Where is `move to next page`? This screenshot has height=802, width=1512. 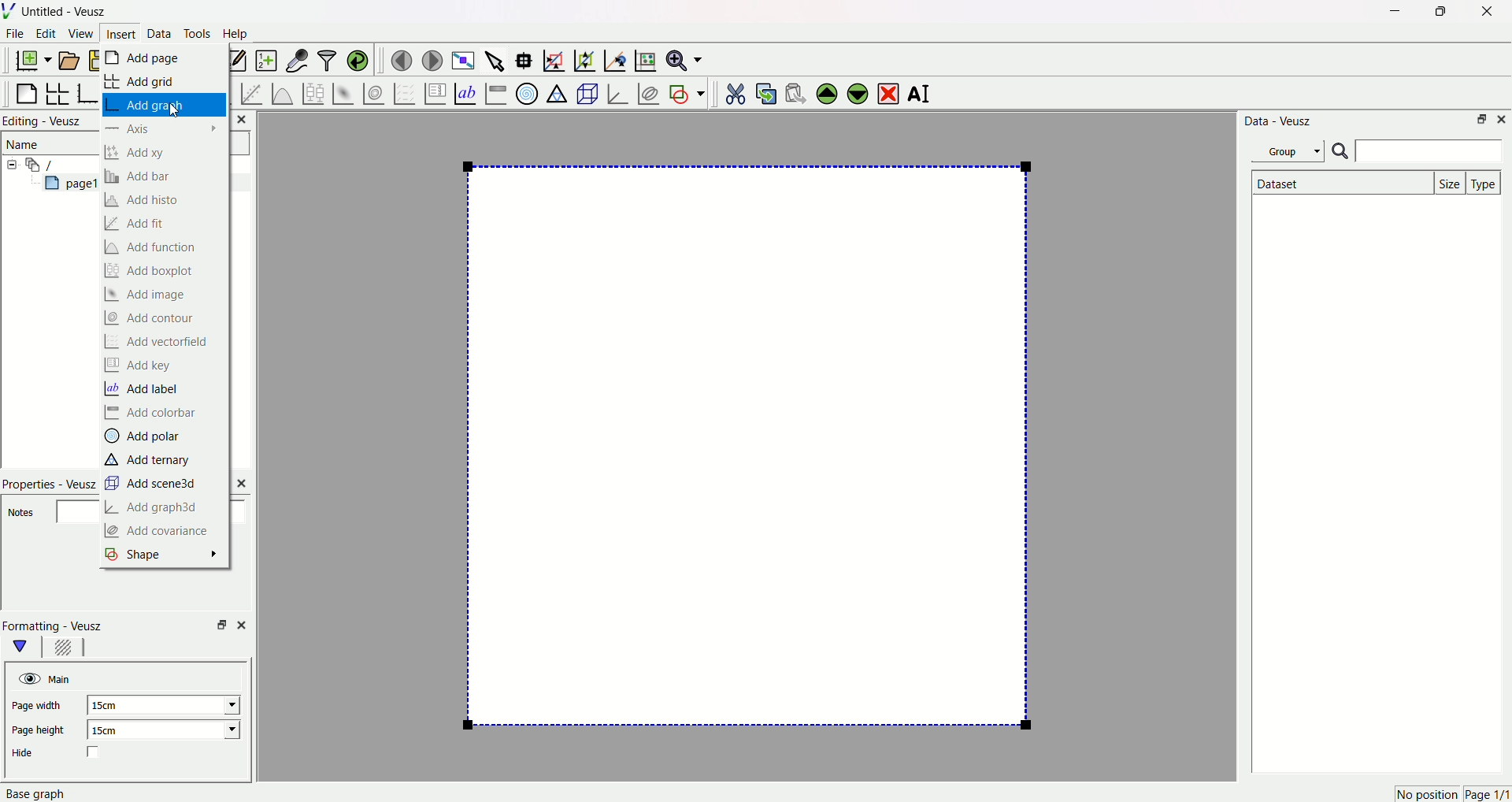 move to next page is located at coordinates (433, 58).